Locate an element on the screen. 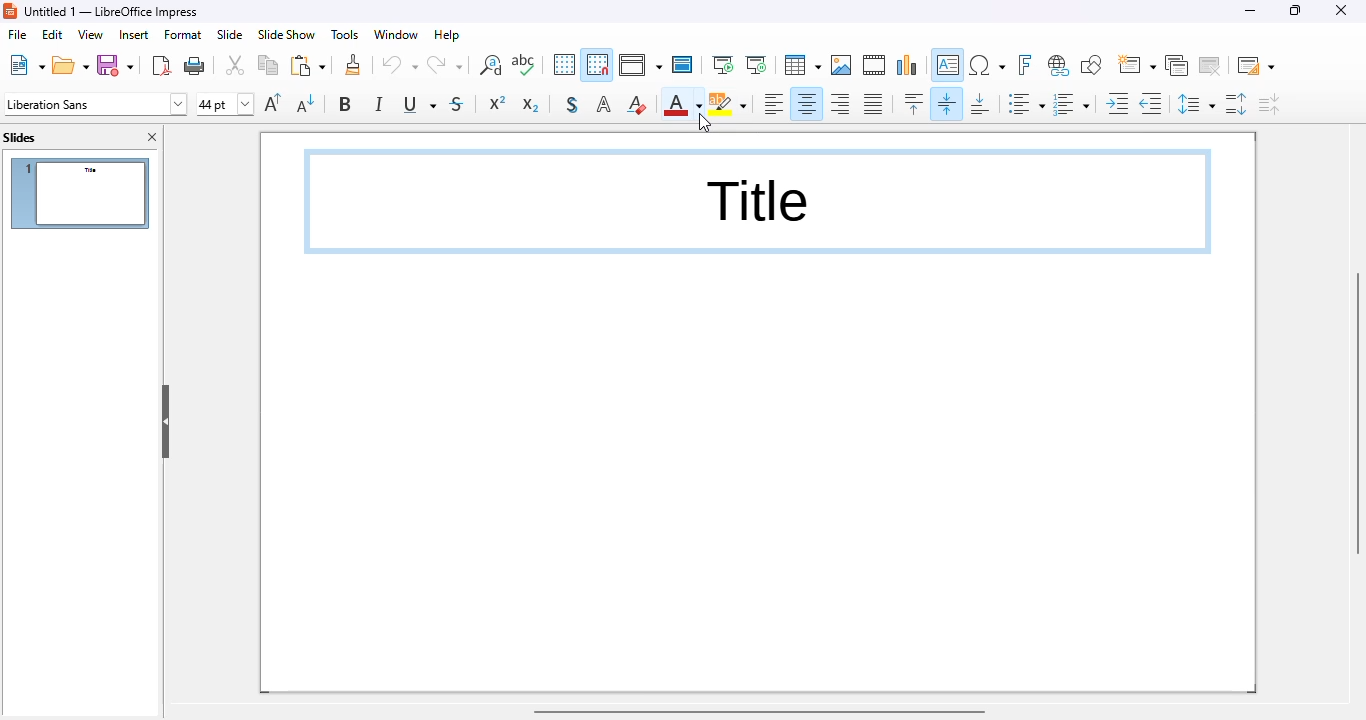 This screenshot has width=1366, height=720. align left is located at coordinates (774, 104).